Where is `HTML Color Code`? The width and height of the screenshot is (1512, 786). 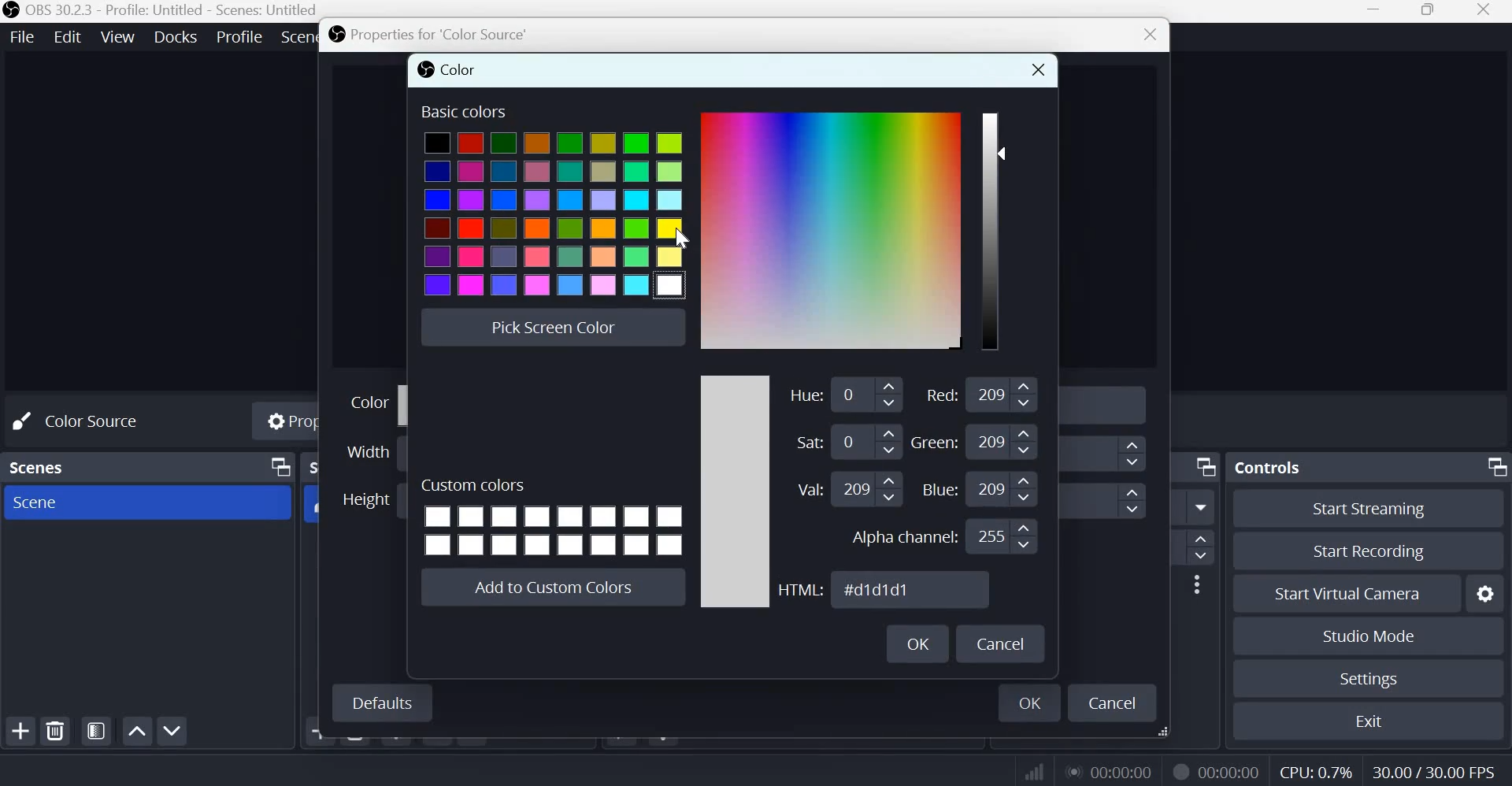
HTML Color Code is located at coordinates (911, 589).